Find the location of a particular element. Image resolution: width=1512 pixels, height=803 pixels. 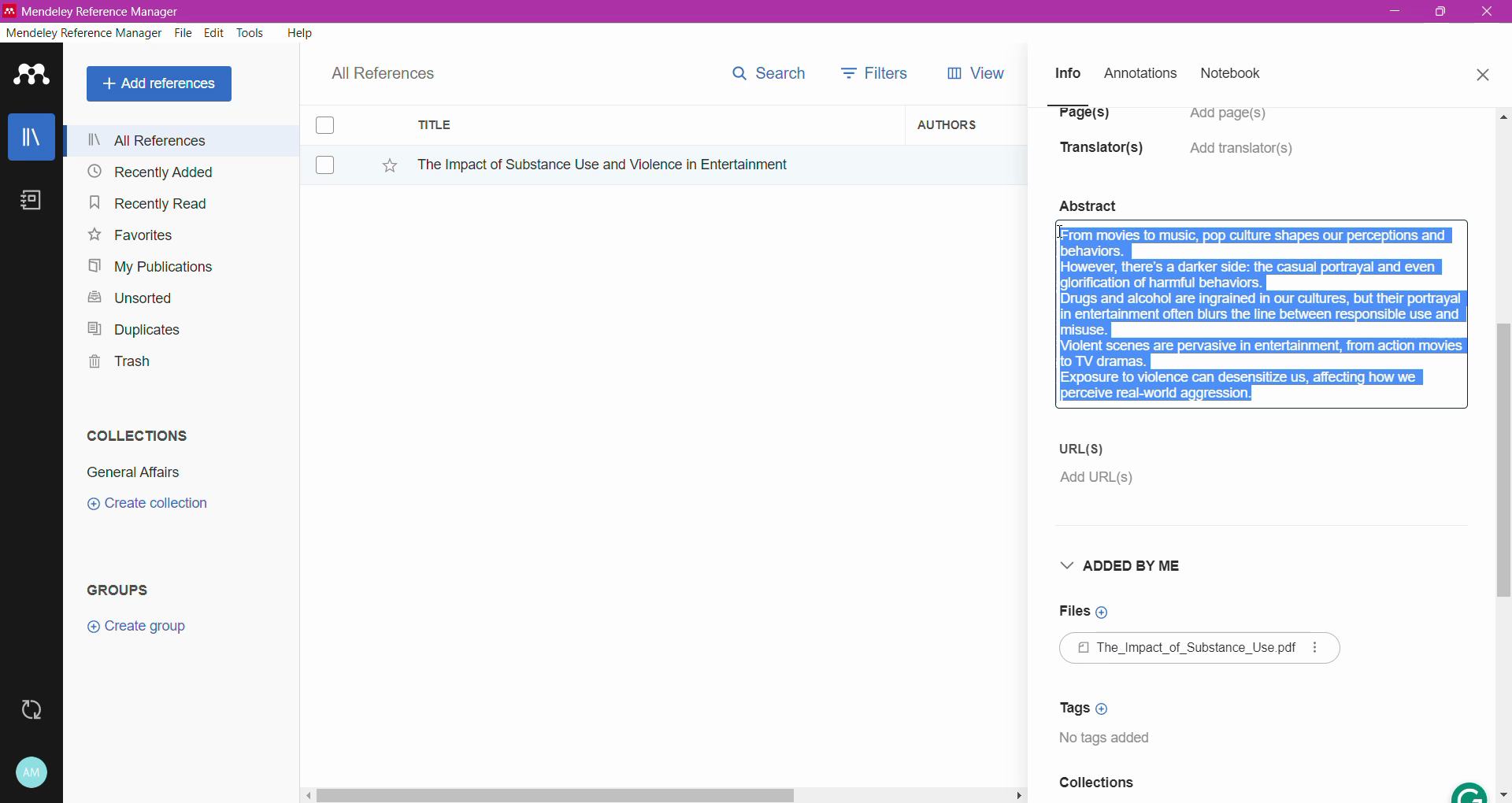

Collections is located at coordinates (133, 432).